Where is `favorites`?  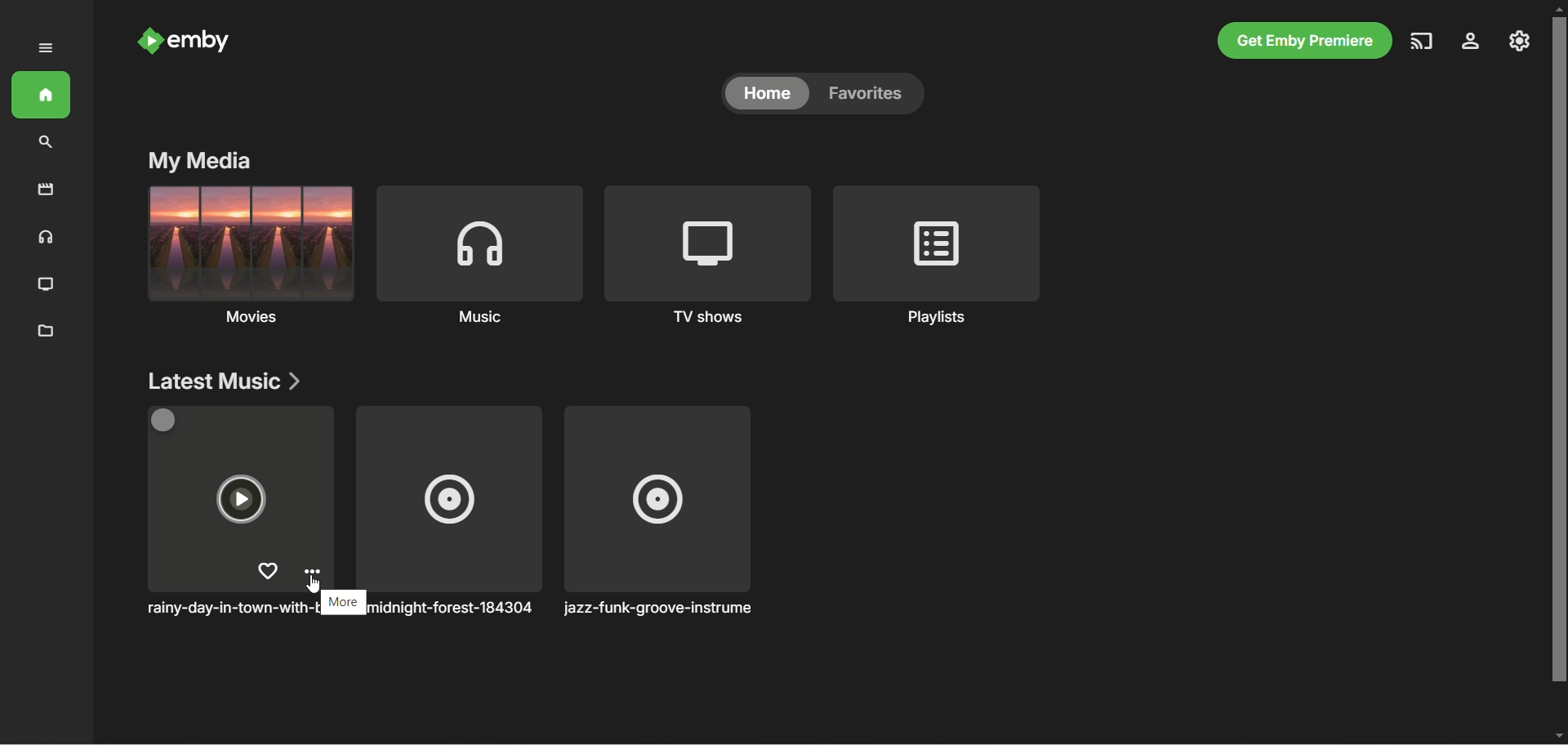 favorites is located at coordinates (873, 93).